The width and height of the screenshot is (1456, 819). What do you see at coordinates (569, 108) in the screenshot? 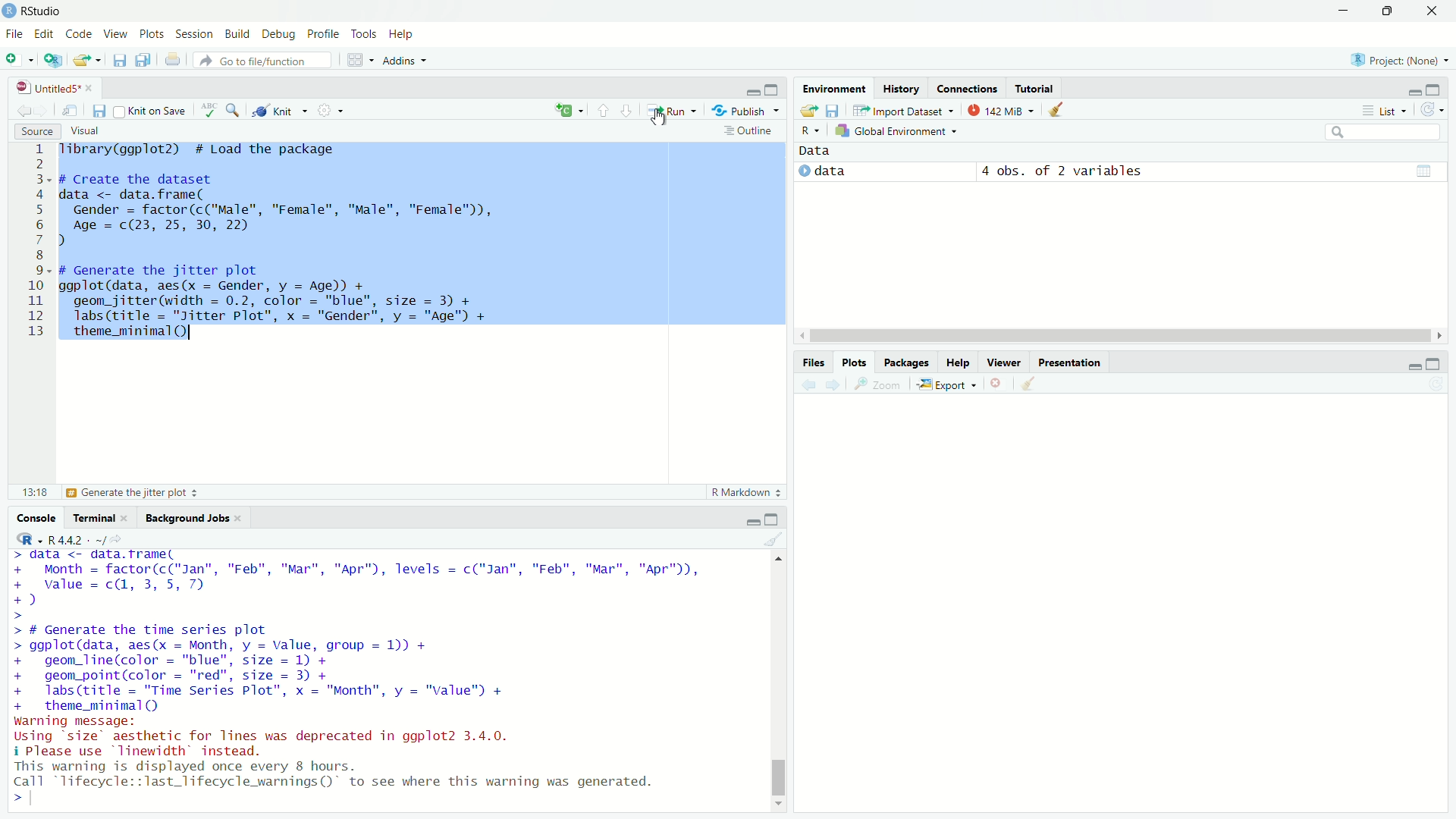
I see `insert a chunk of code` at bounding box center [569, 108].